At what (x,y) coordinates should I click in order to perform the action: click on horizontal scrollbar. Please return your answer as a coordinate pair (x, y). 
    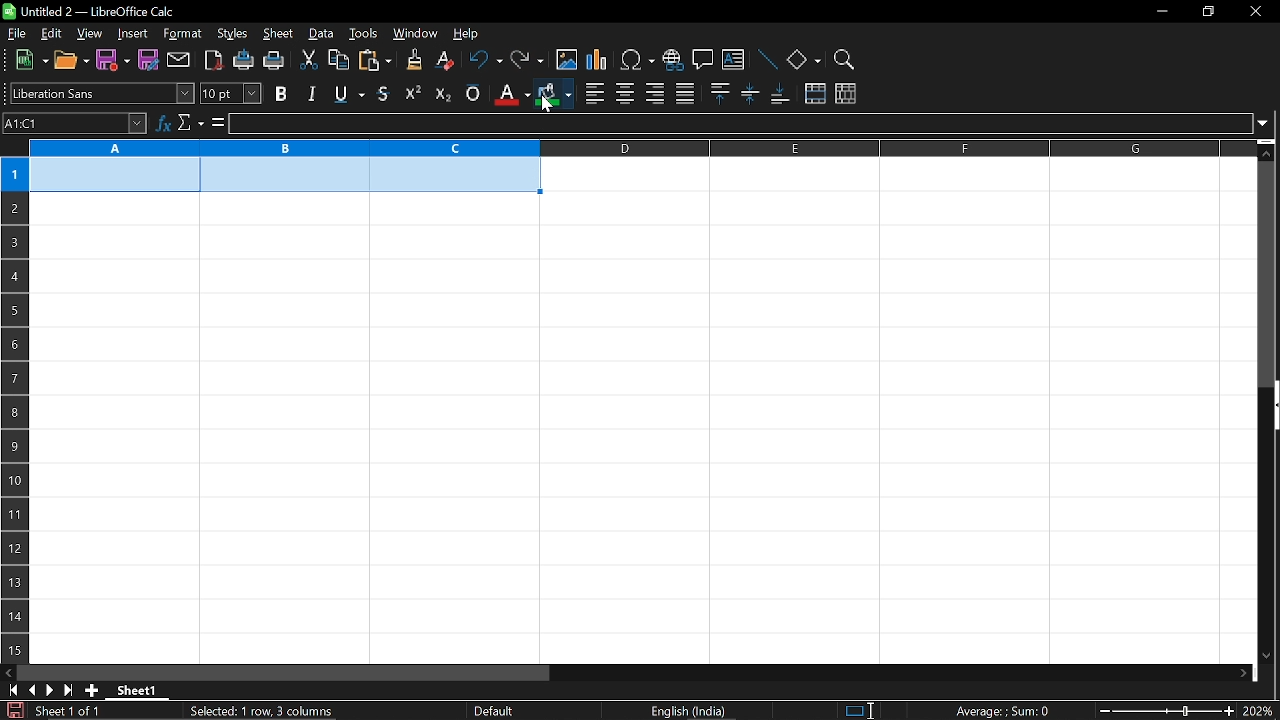
    Looking at the image, I should click on (284, 673).